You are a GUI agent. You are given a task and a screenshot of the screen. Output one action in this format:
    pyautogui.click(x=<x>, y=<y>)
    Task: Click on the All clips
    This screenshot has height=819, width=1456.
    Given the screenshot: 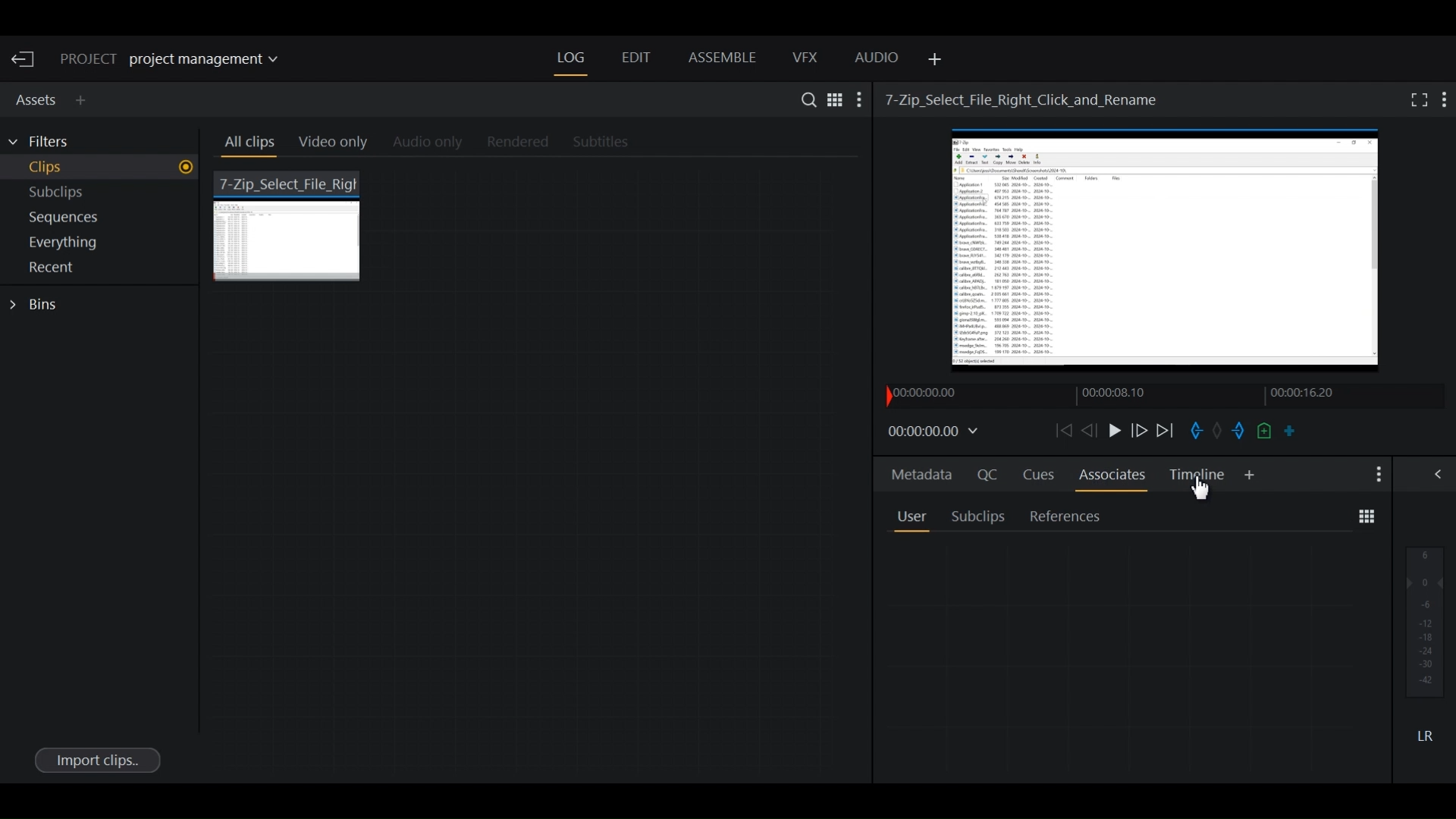 What is the action you would take?
    pyautogui.click(x=247, y=145)
    